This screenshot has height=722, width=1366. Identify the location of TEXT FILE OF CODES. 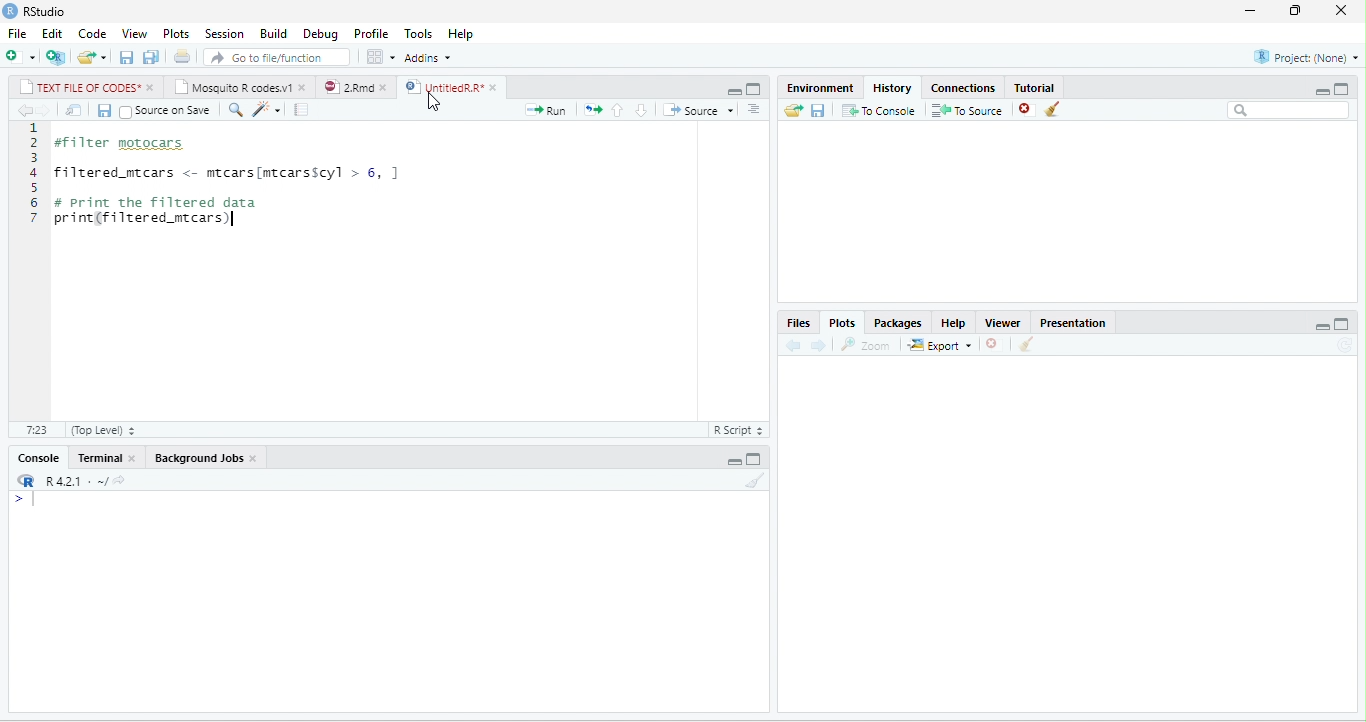
(80, 86).